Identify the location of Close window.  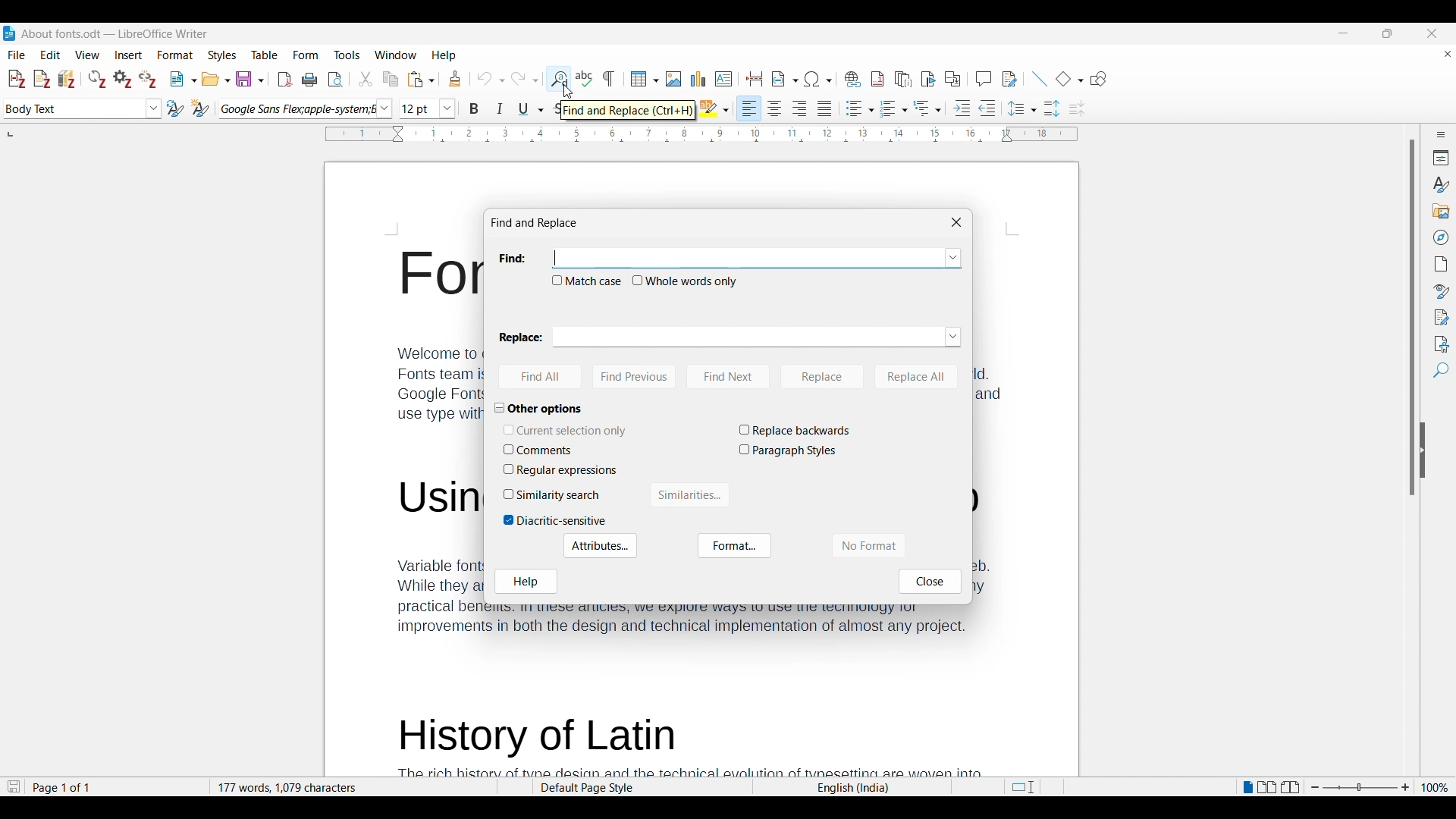
(956, 222).